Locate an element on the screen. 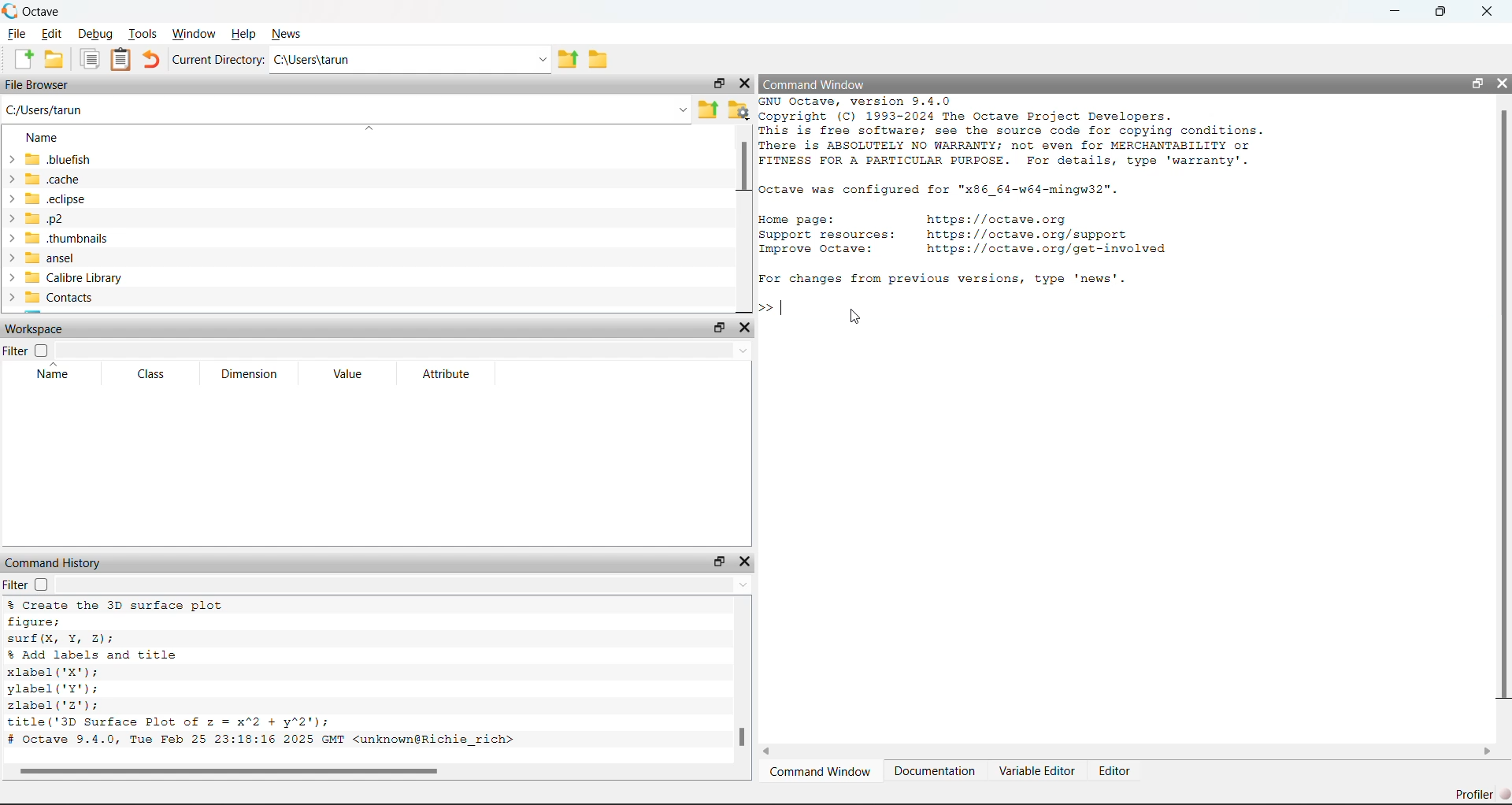 This screenshot has height=805, width=1512. Command Window is located at coordinates (820, 772).